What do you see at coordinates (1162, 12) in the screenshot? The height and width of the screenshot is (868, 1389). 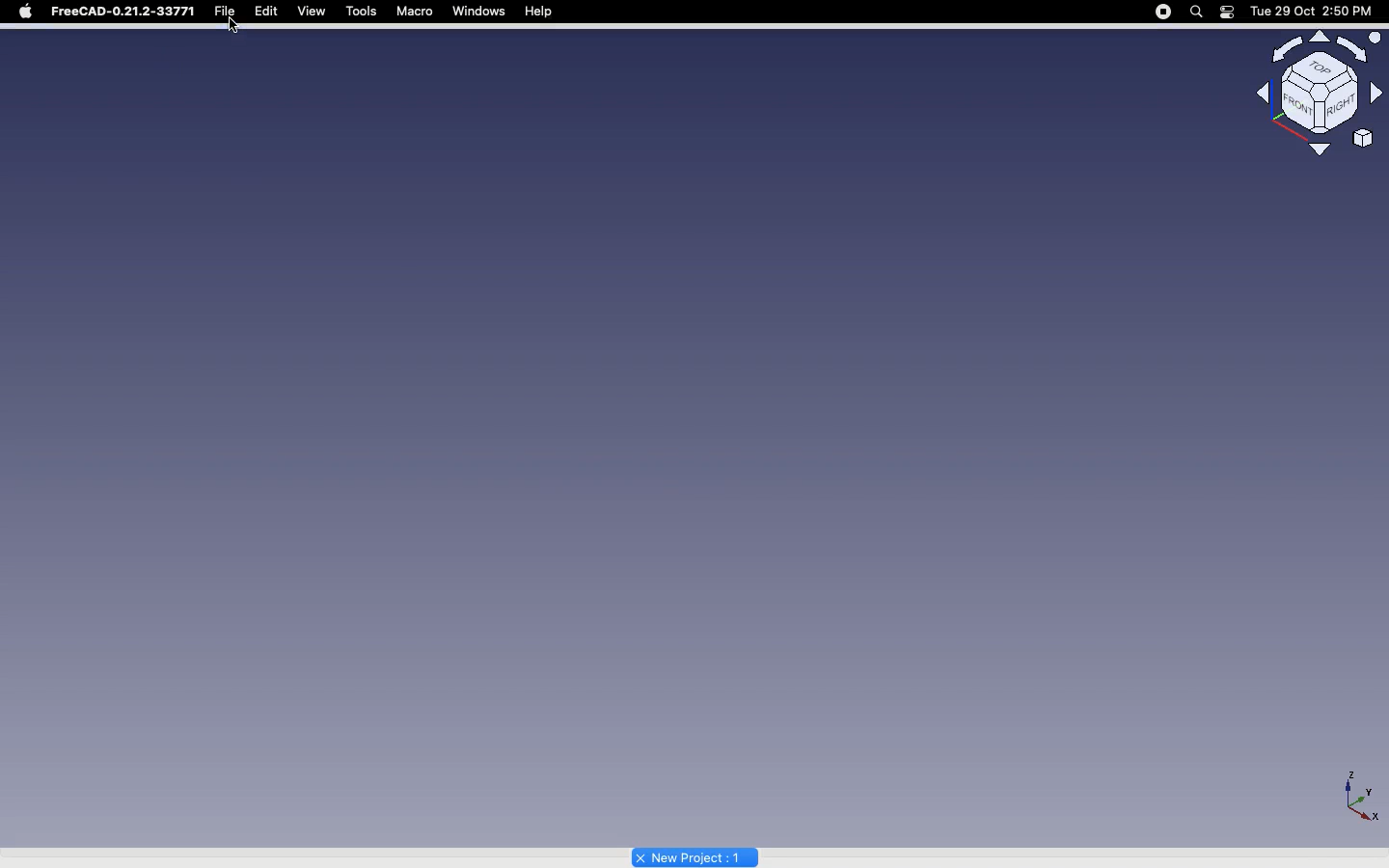 I see `Recording` at bounding box center [1162, 12].